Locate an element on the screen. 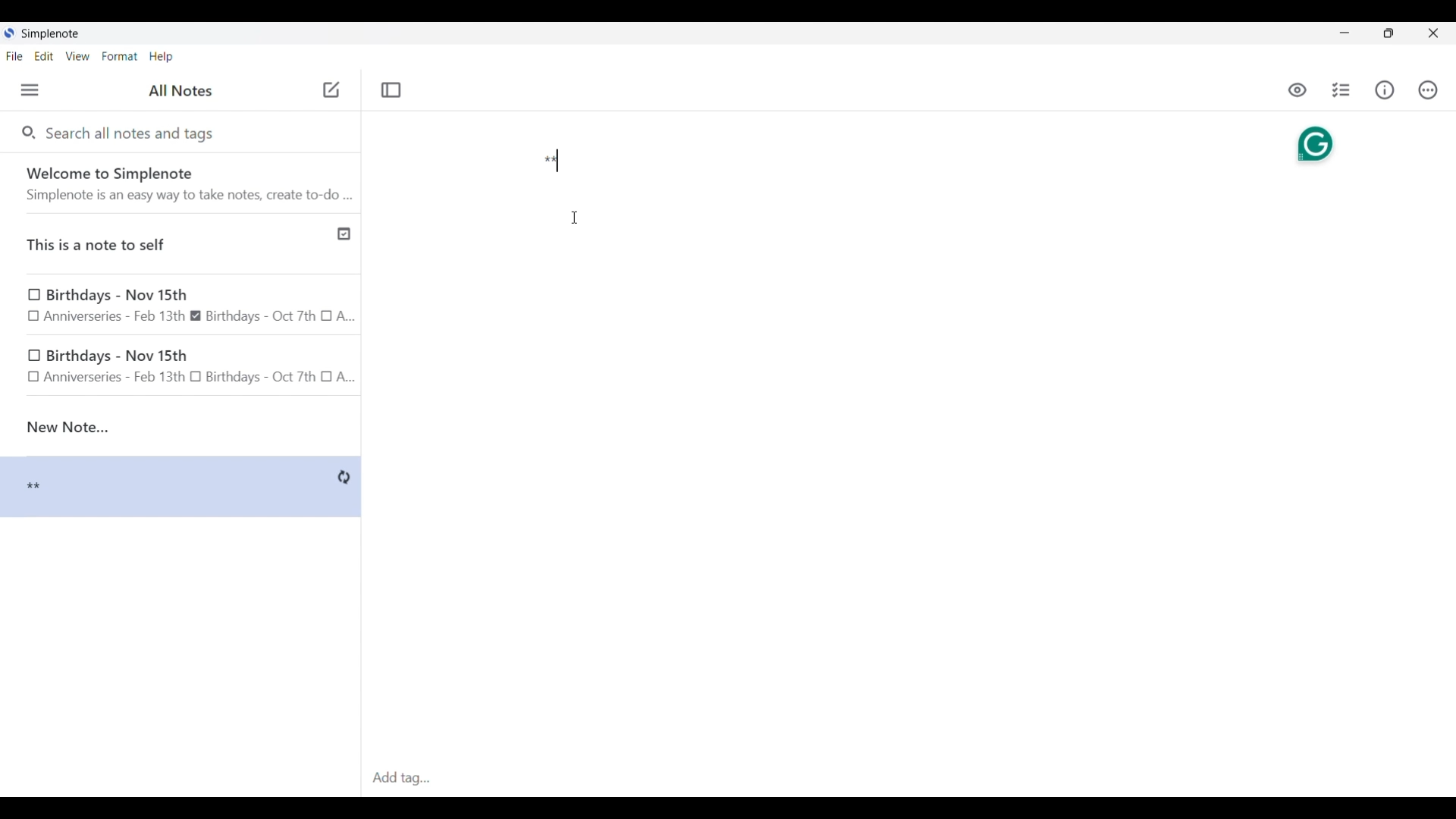 The width and height of the screenshot is (1456, 819). Indicates saving is located at coordinates (344, 477).